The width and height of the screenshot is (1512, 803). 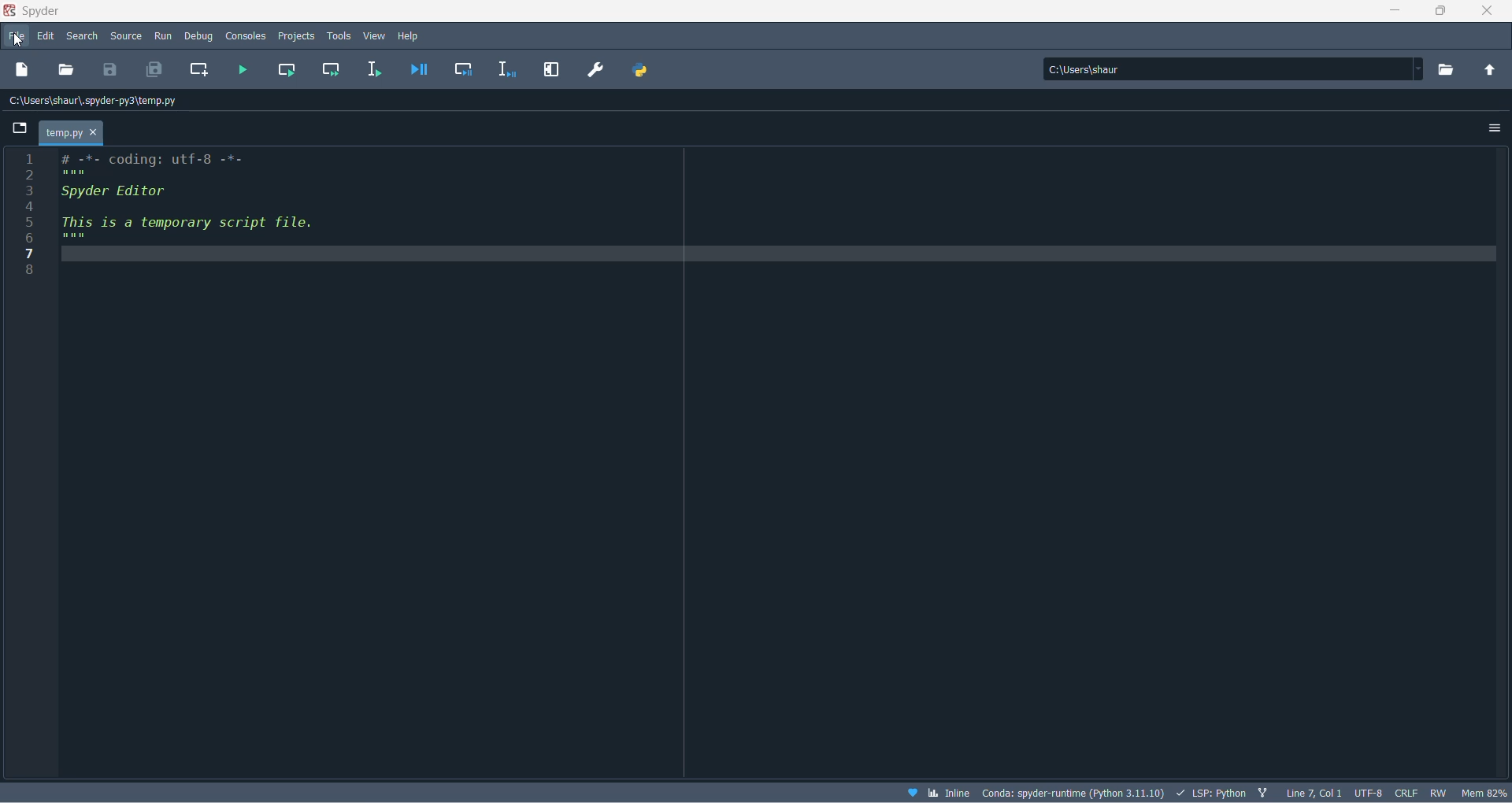 What do you see at coordinates (201, 68) in the screenshot?
I see `create new cell` at bounding box center [201, 68].